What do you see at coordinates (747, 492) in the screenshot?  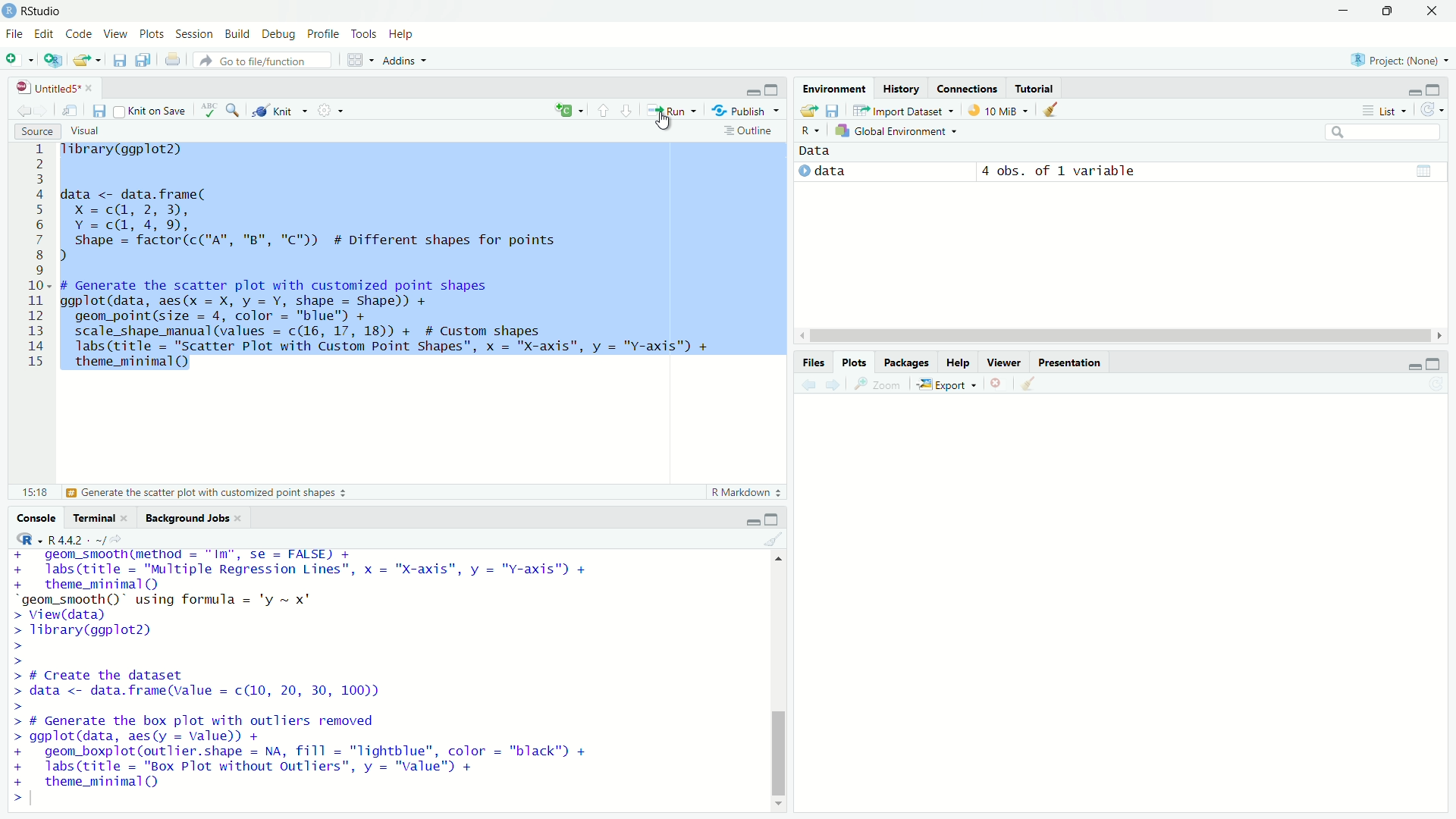 I see `R Markdown` at bounding box center [747, 492].